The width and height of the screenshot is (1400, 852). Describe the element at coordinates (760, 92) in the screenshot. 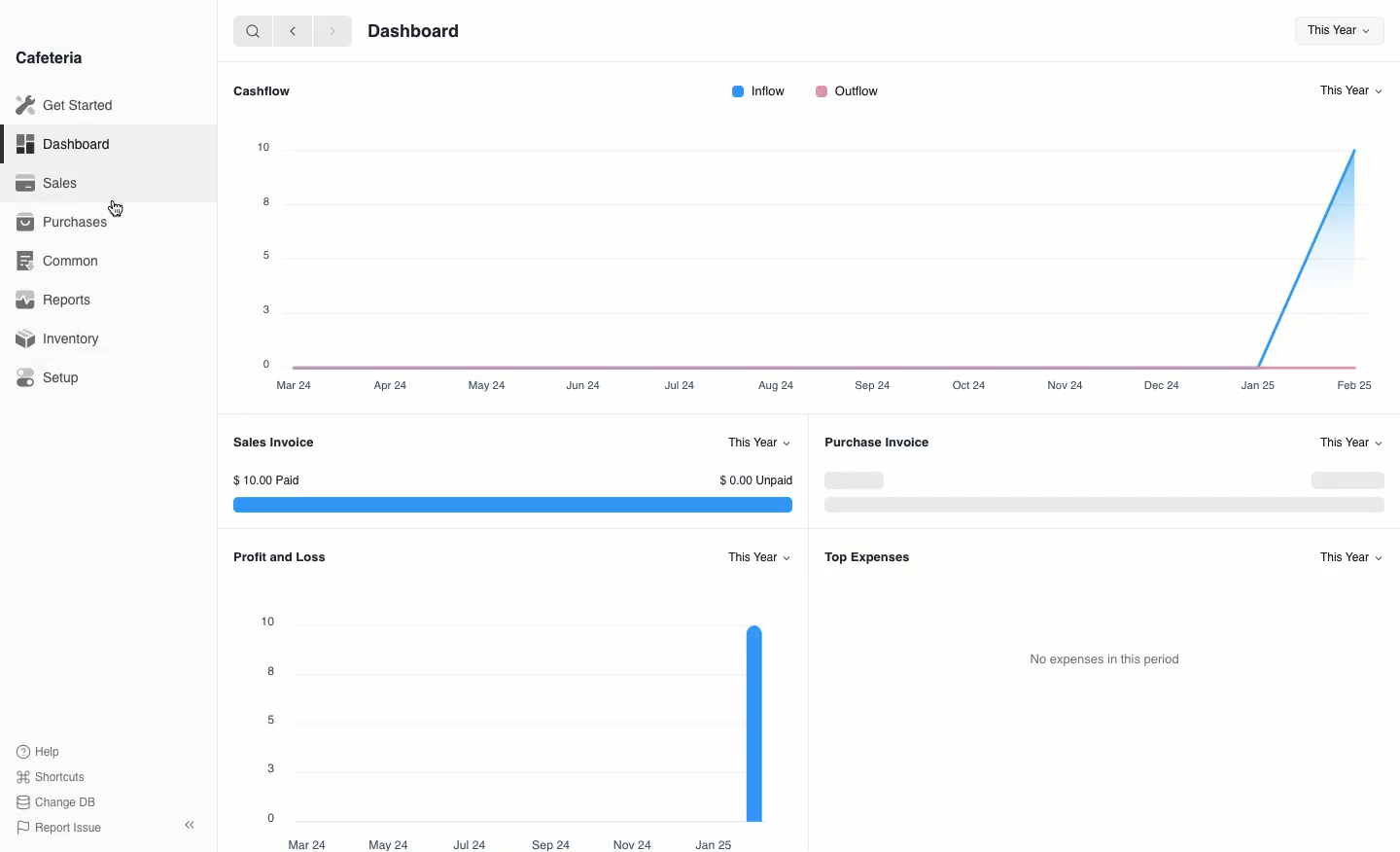

I see `Inflow` at that location.